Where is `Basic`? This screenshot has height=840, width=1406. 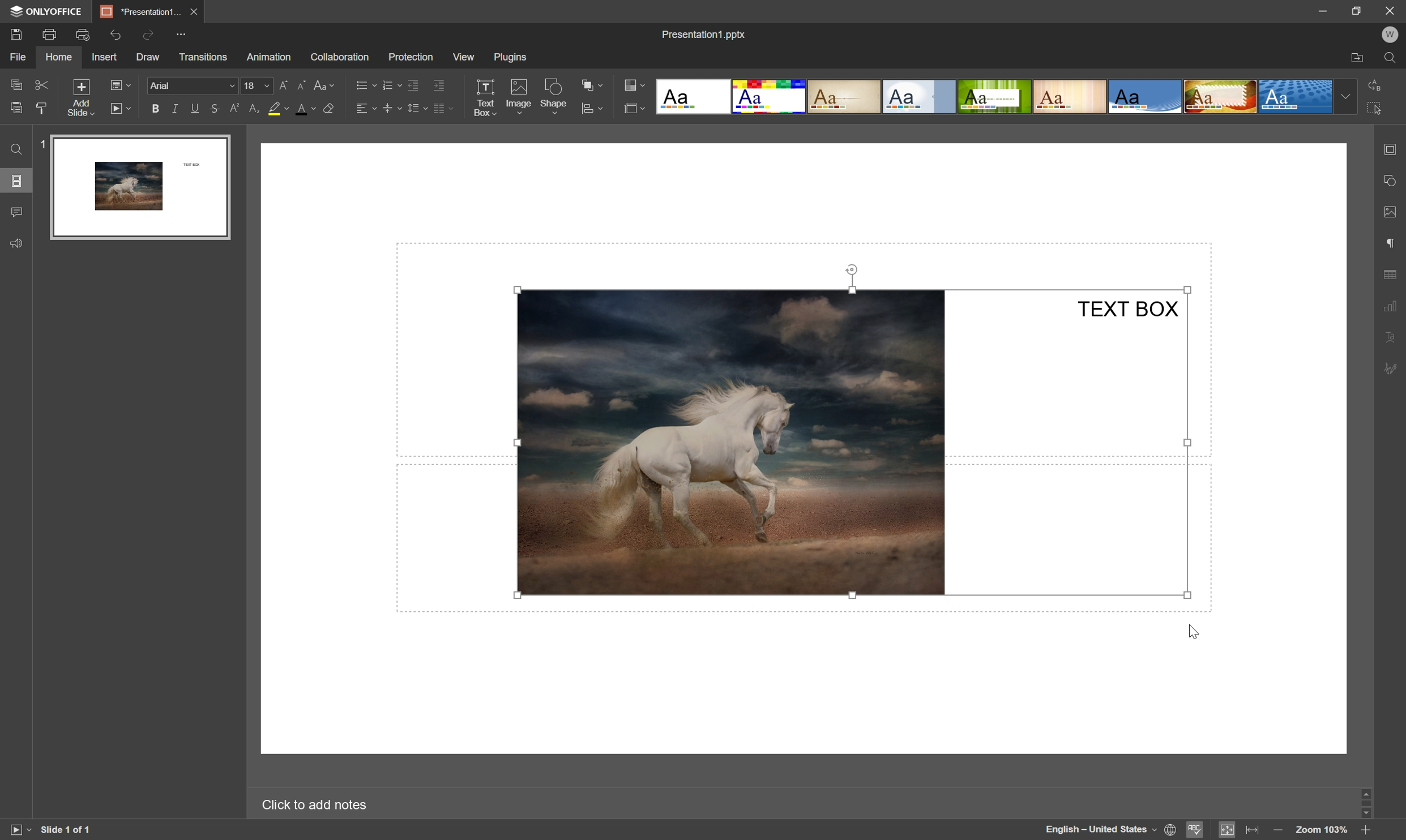
Basic is located at coordinates (770, 97).